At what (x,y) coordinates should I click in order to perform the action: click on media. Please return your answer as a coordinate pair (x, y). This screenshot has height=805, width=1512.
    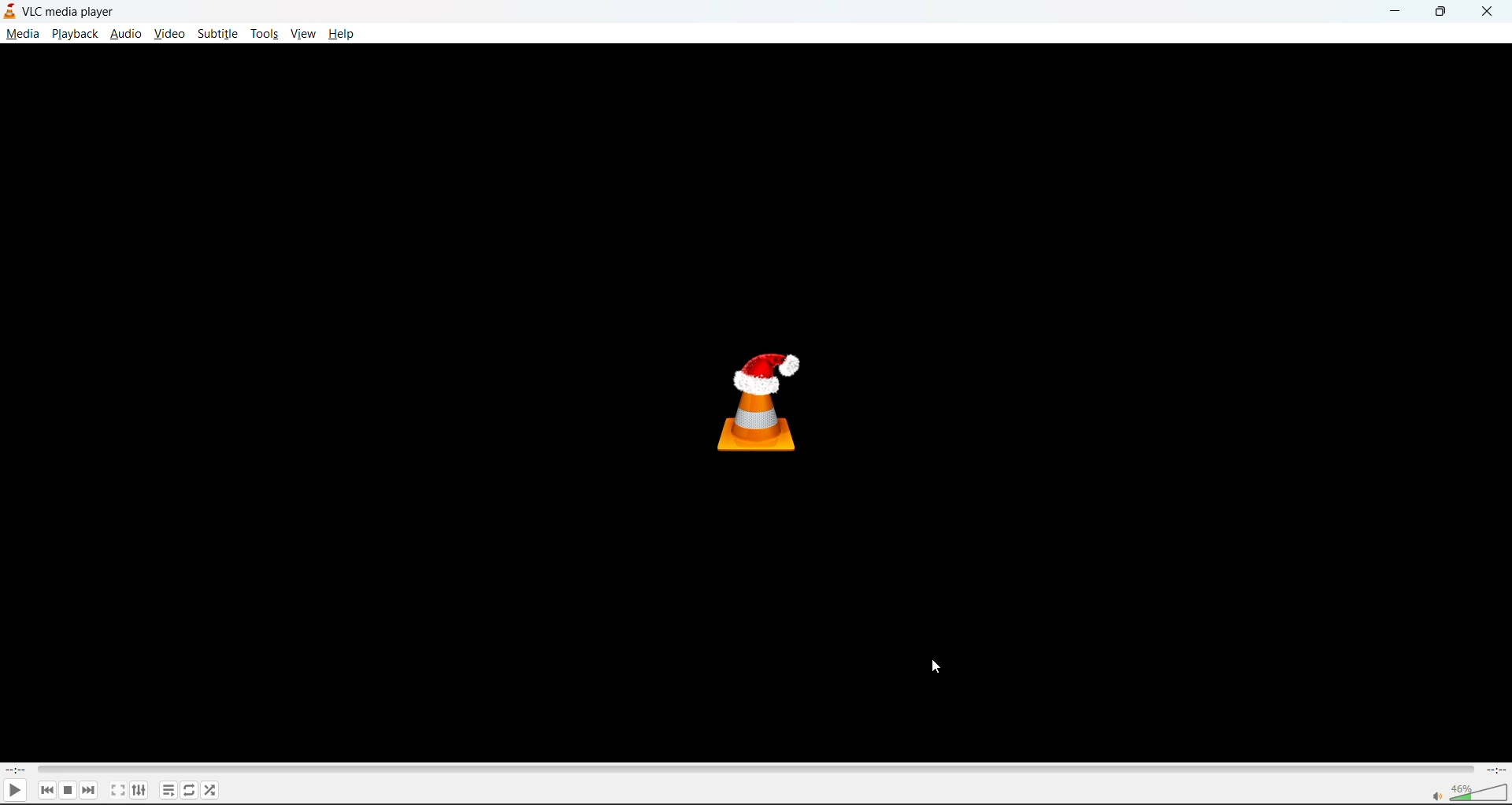
    Looking at the image, I should click on (20, 33).